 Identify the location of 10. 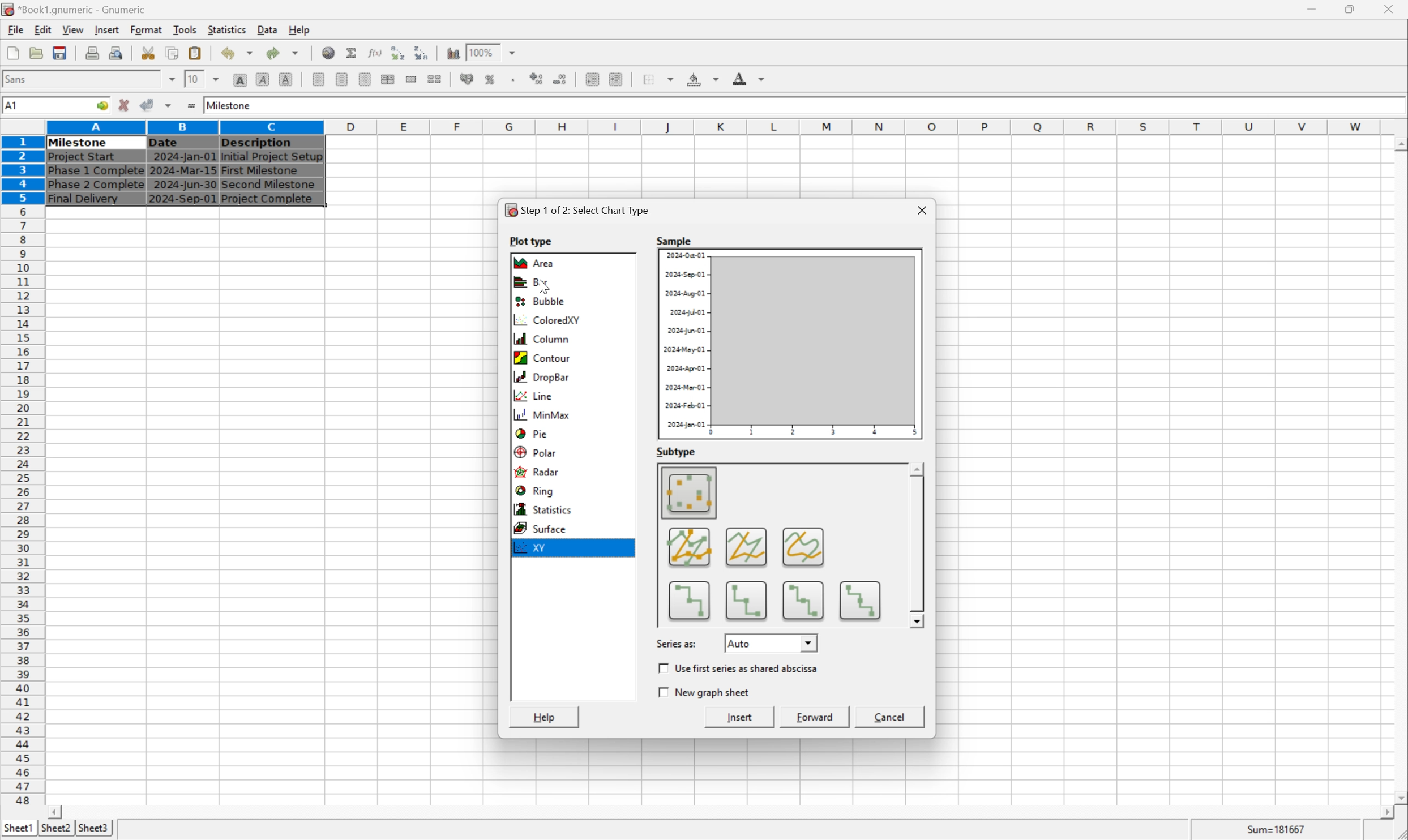
(192, 79).